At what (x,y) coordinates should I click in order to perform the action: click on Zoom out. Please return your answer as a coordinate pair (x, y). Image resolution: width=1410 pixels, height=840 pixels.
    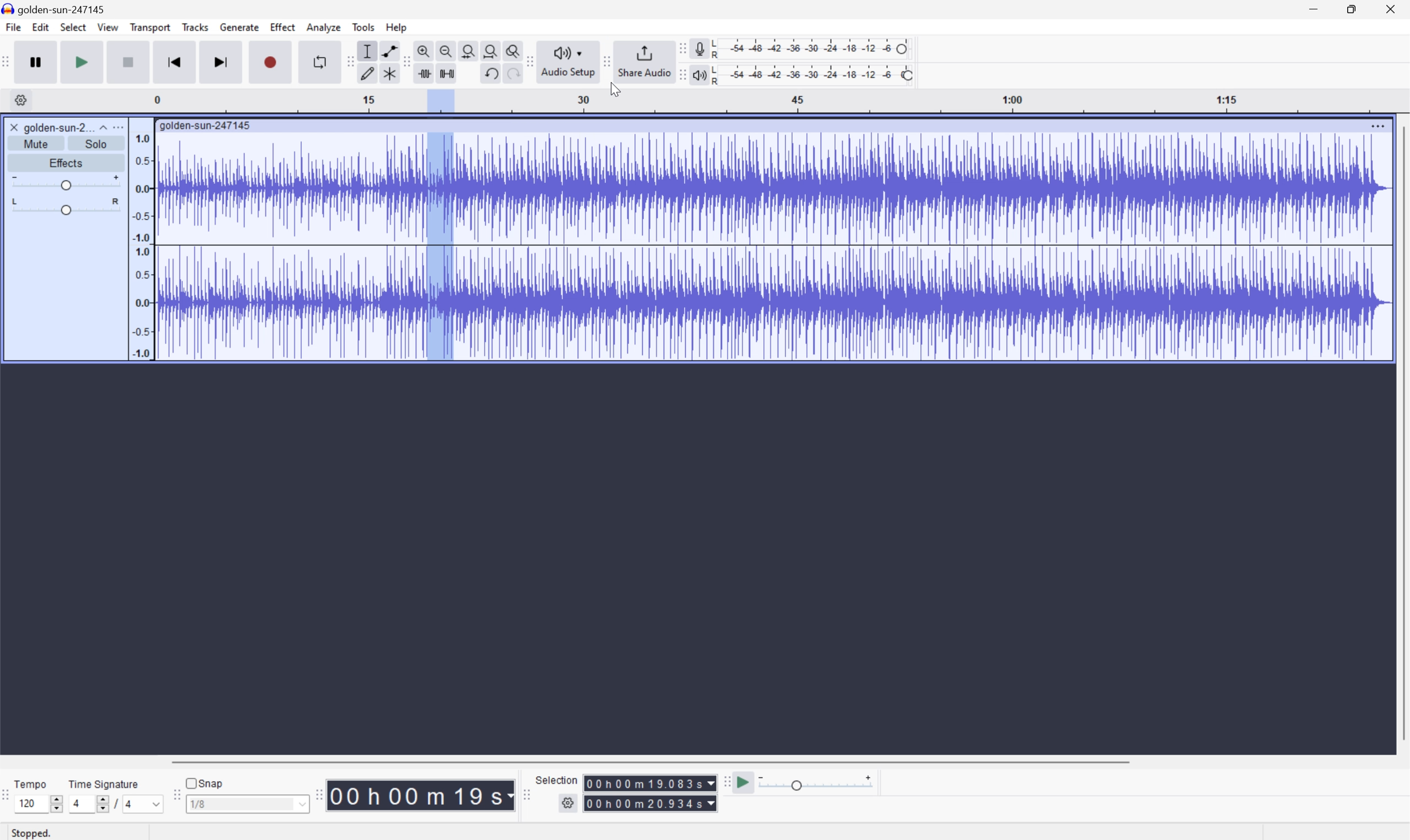
    Looking at the image, I should click on (445, 49).